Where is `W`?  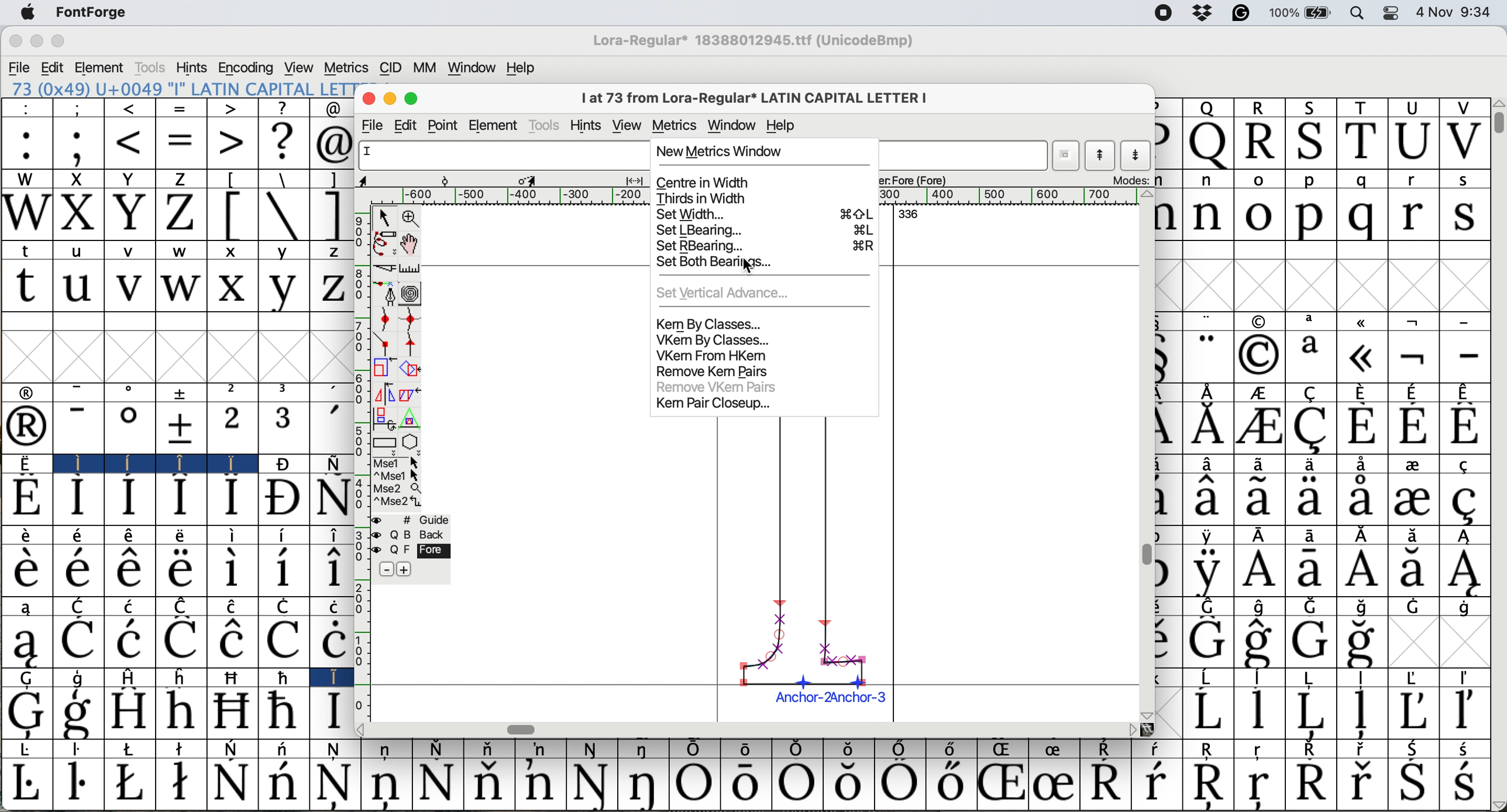
W is located at coordinates (26, 215).